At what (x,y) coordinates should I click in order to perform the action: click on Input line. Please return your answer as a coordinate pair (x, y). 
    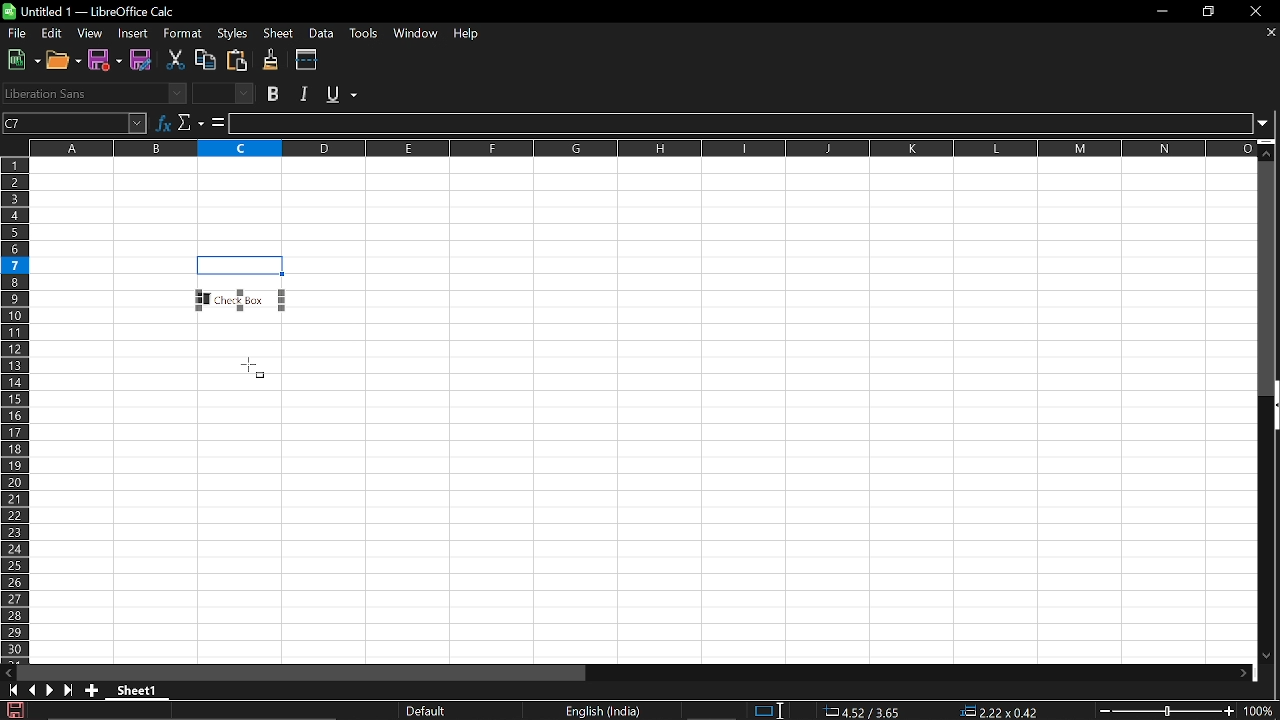
    Looking at the image, I should click on (741, 124).